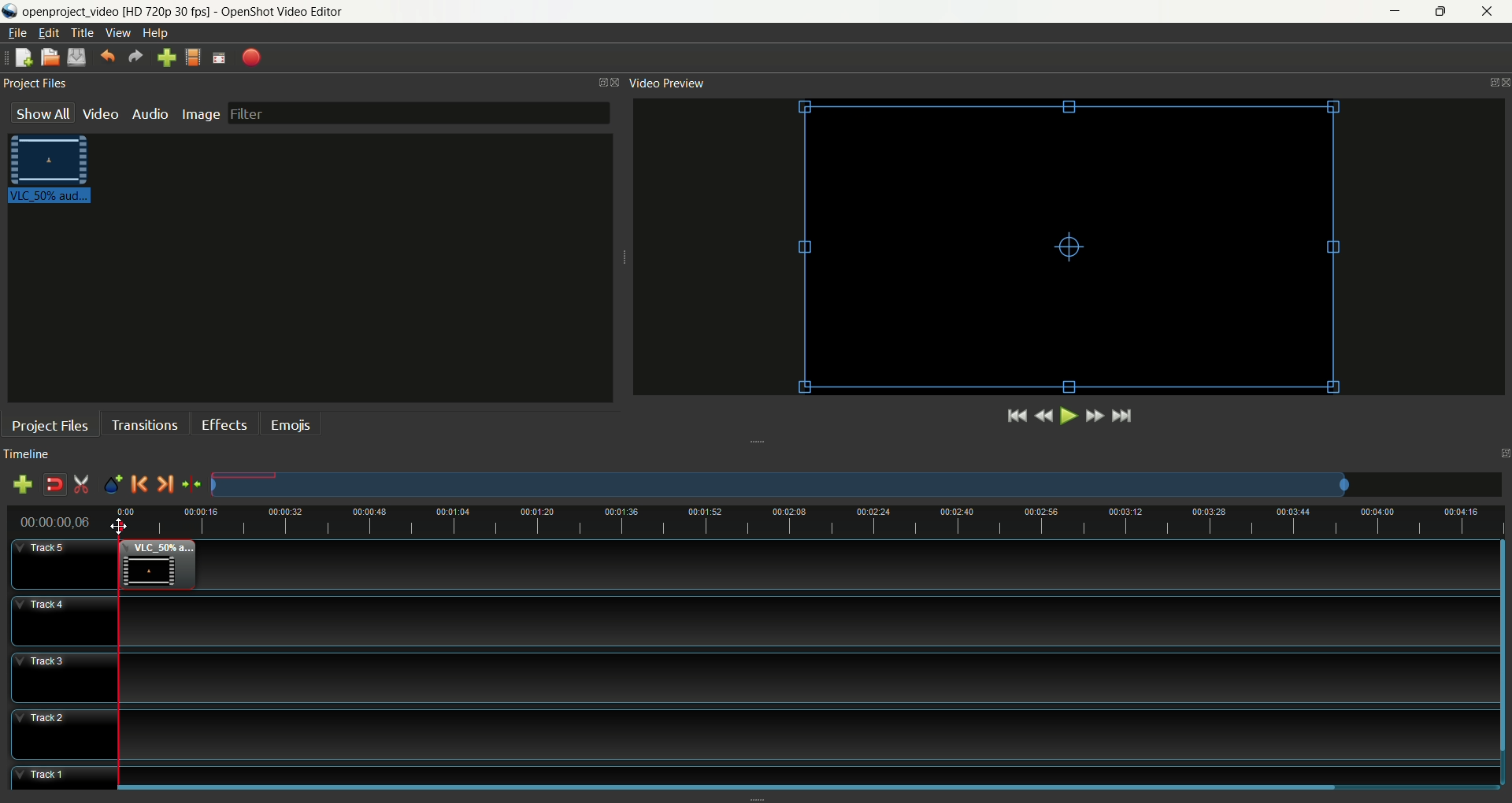 The width and height of the screenshot is (1512, 803). What do you see at coordinates (65, 566) in the screenshot?
I see `track5` at bounding box center [65, 566].